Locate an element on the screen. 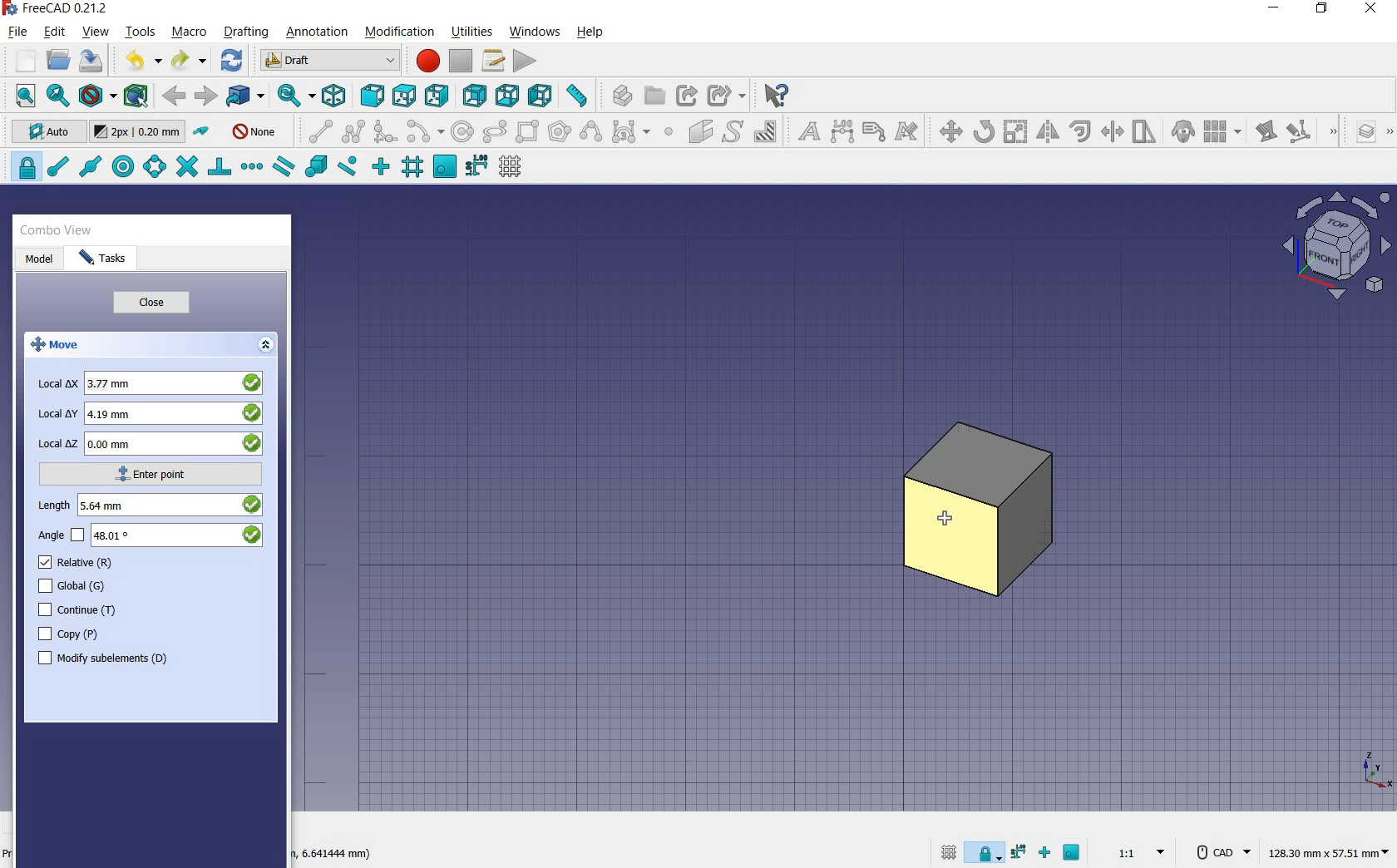 The width and height of the screenshot is (1397, 868). switch between workbenches is located at coordinates (328, 62).